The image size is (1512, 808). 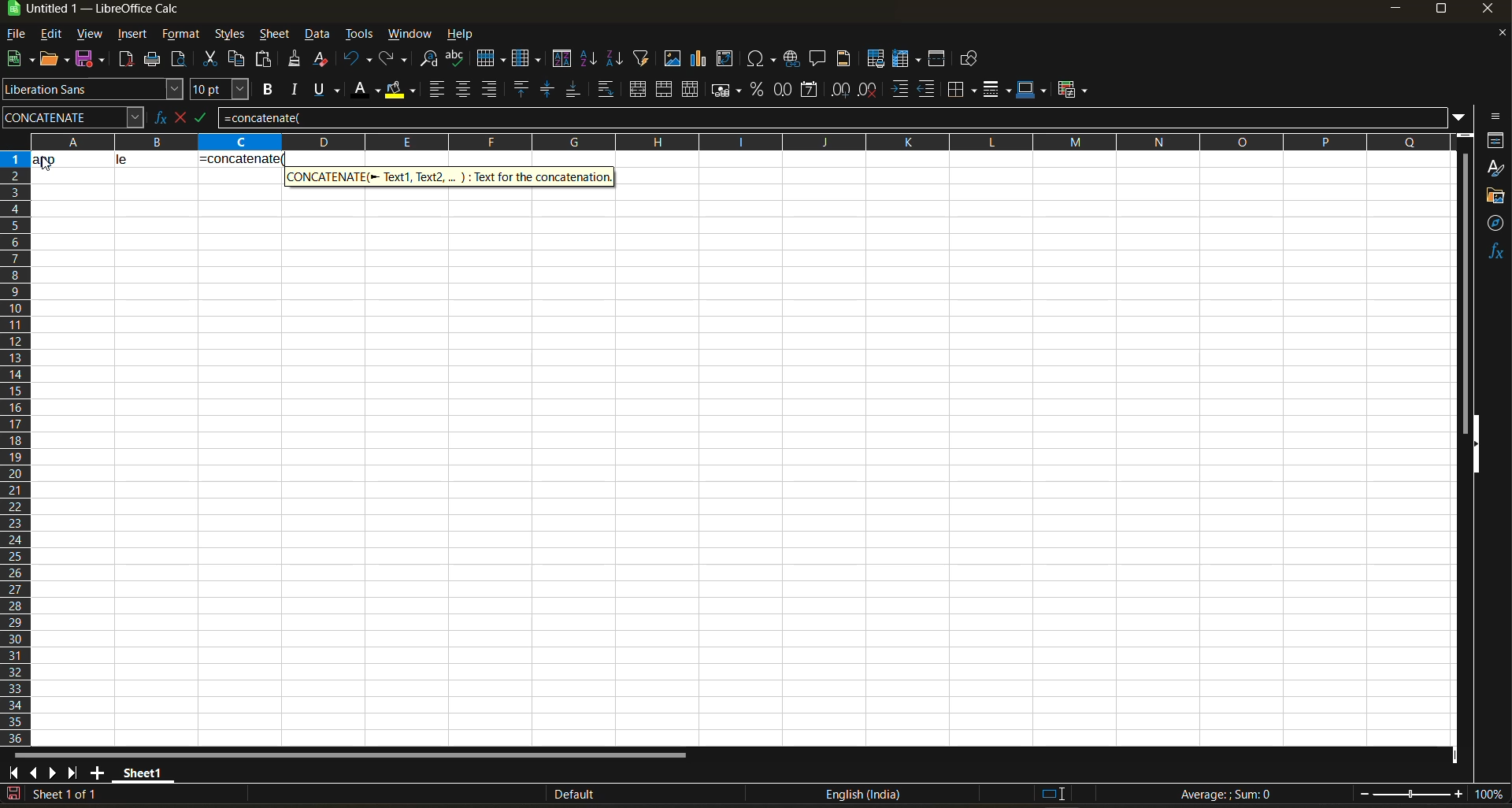 What do you see at coordinates (574, 89) in the screenshot?
I see `align bottom` at bounding box center [574, 89].